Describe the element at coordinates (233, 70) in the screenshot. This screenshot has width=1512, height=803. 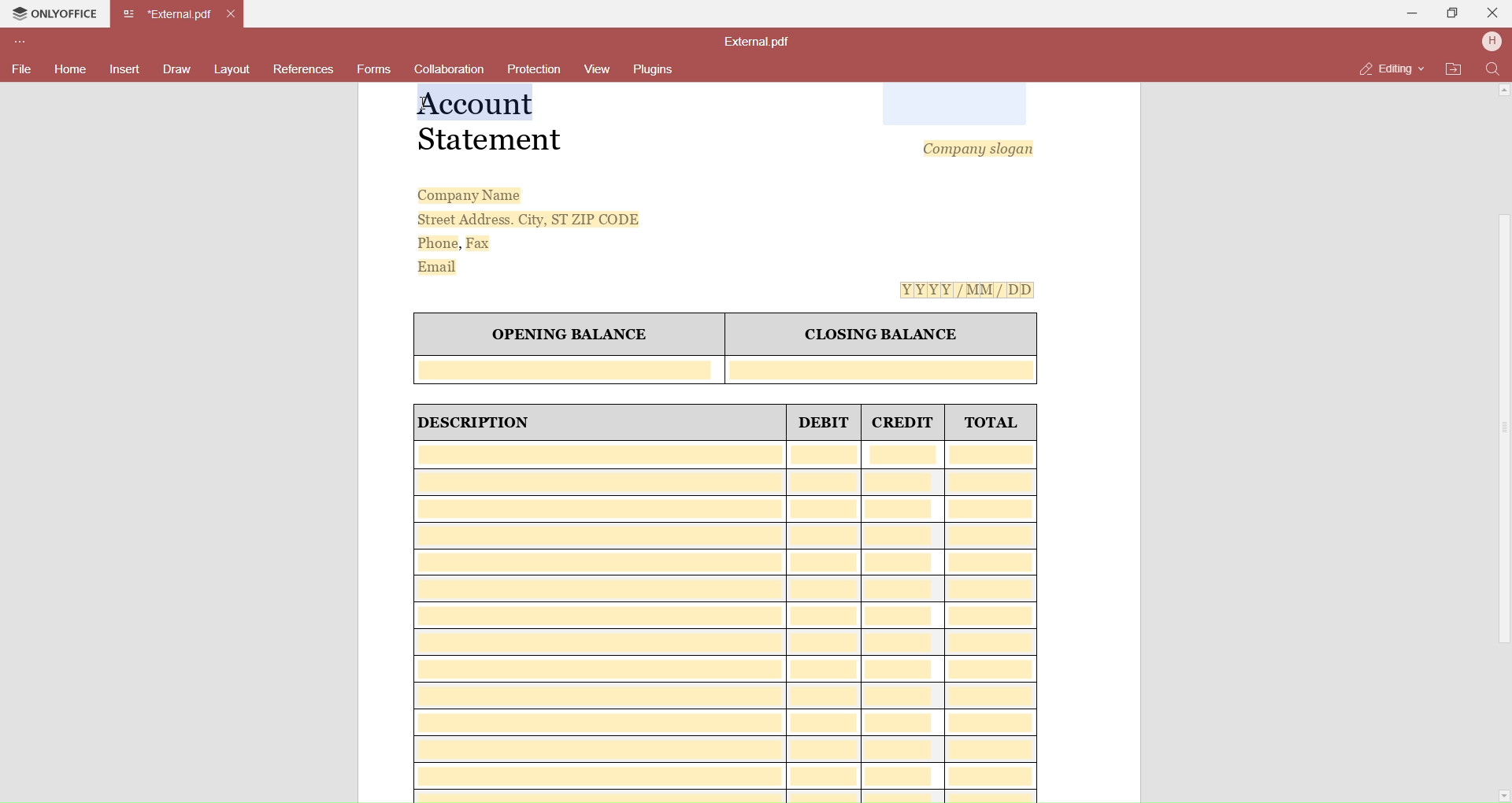
I see `Layouts` at that location.